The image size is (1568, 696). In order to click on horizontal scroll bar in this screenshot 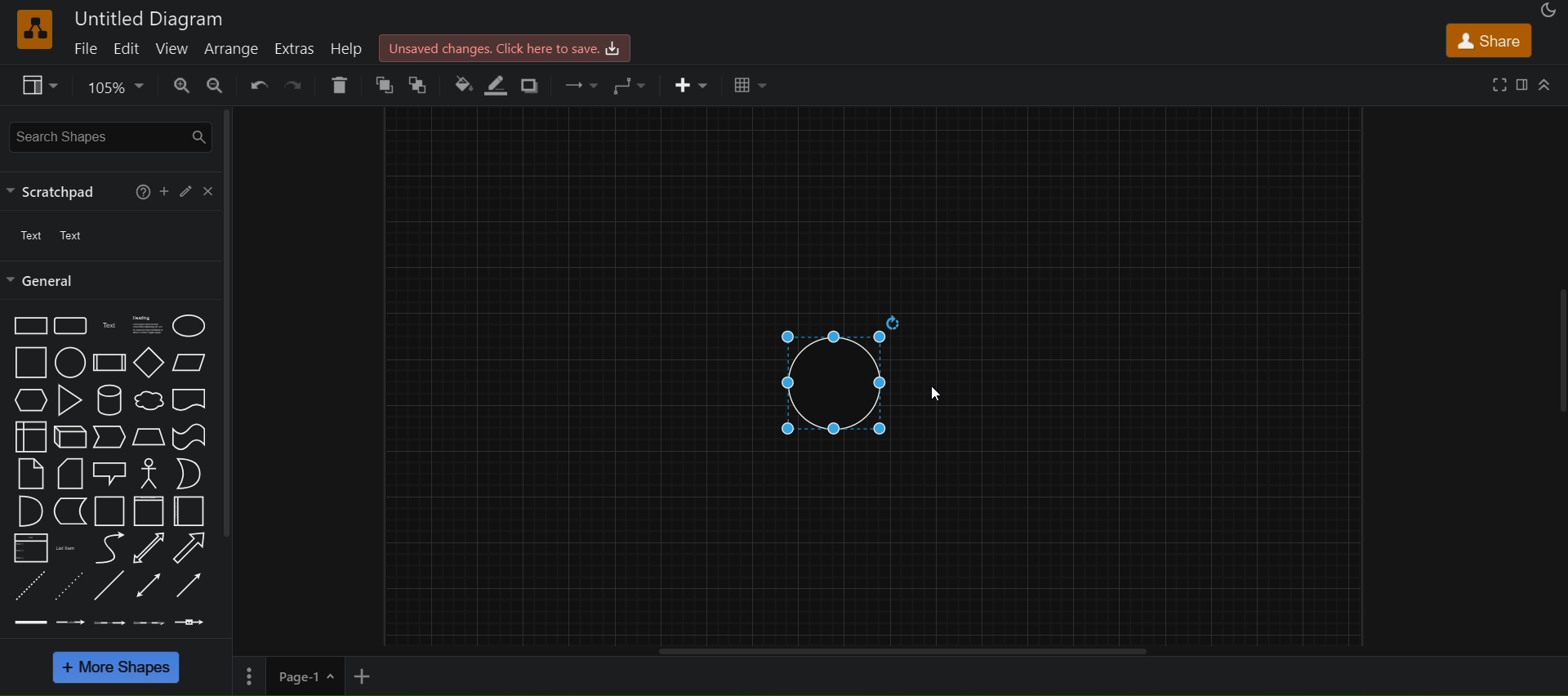, I will do `click(902, 651)`.